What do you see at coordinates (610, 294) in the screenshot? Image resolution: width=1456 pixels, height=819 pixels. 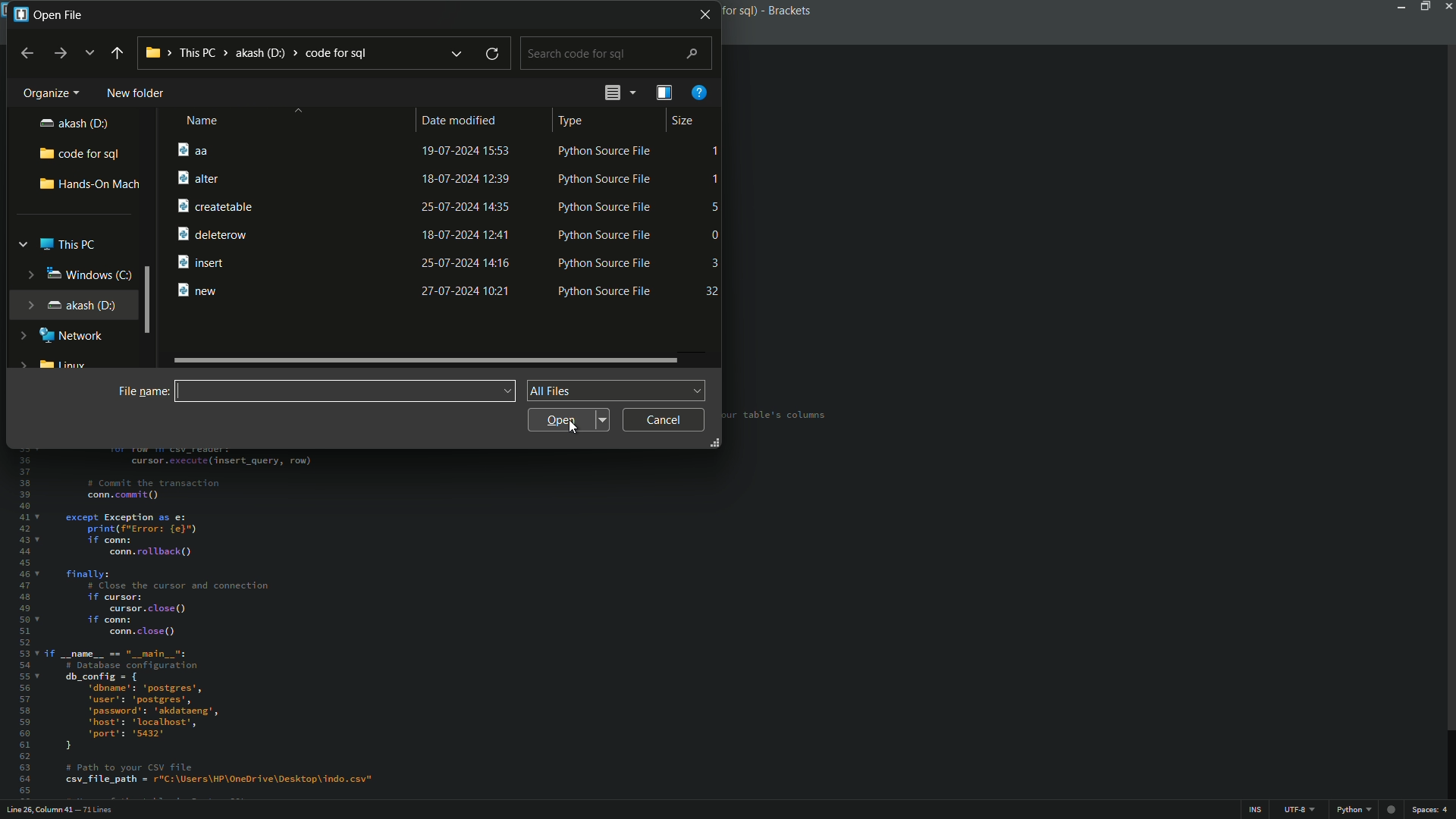 I see `Python Source File` at bounding box center [610, 294].